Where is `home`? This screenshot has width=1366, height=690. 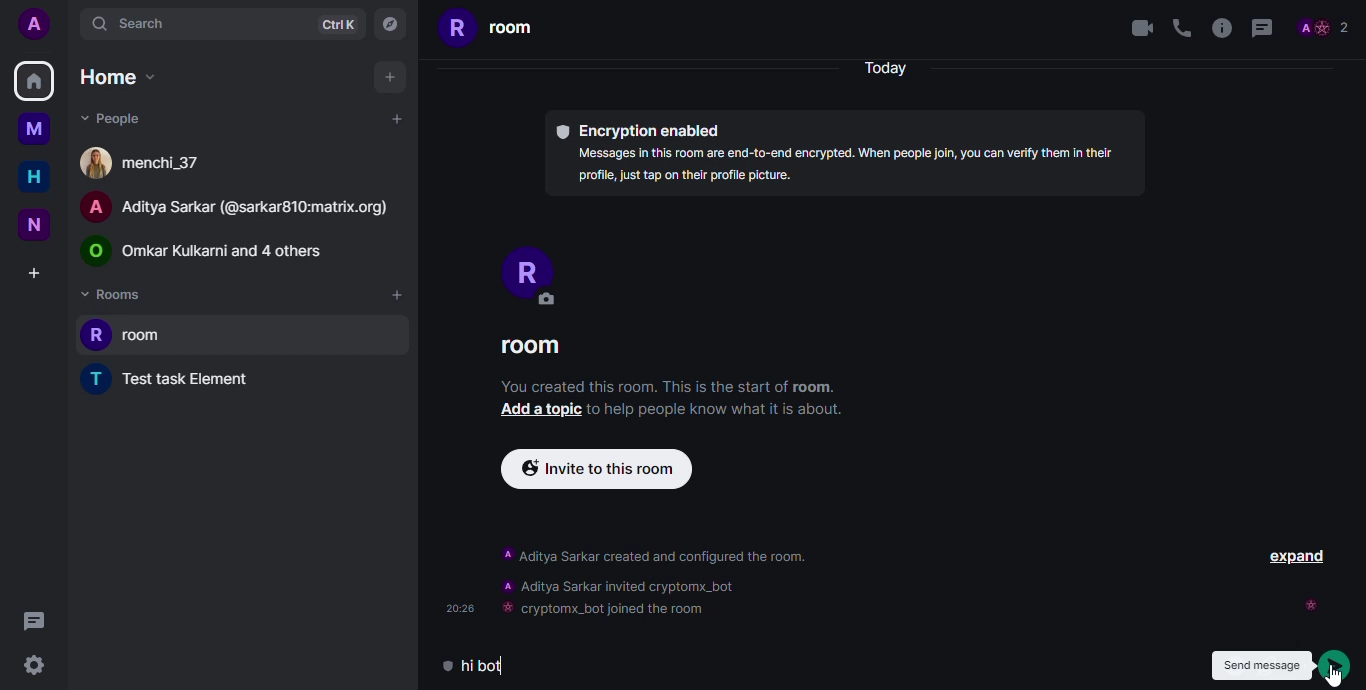 home is located at coordinates (34, 177).